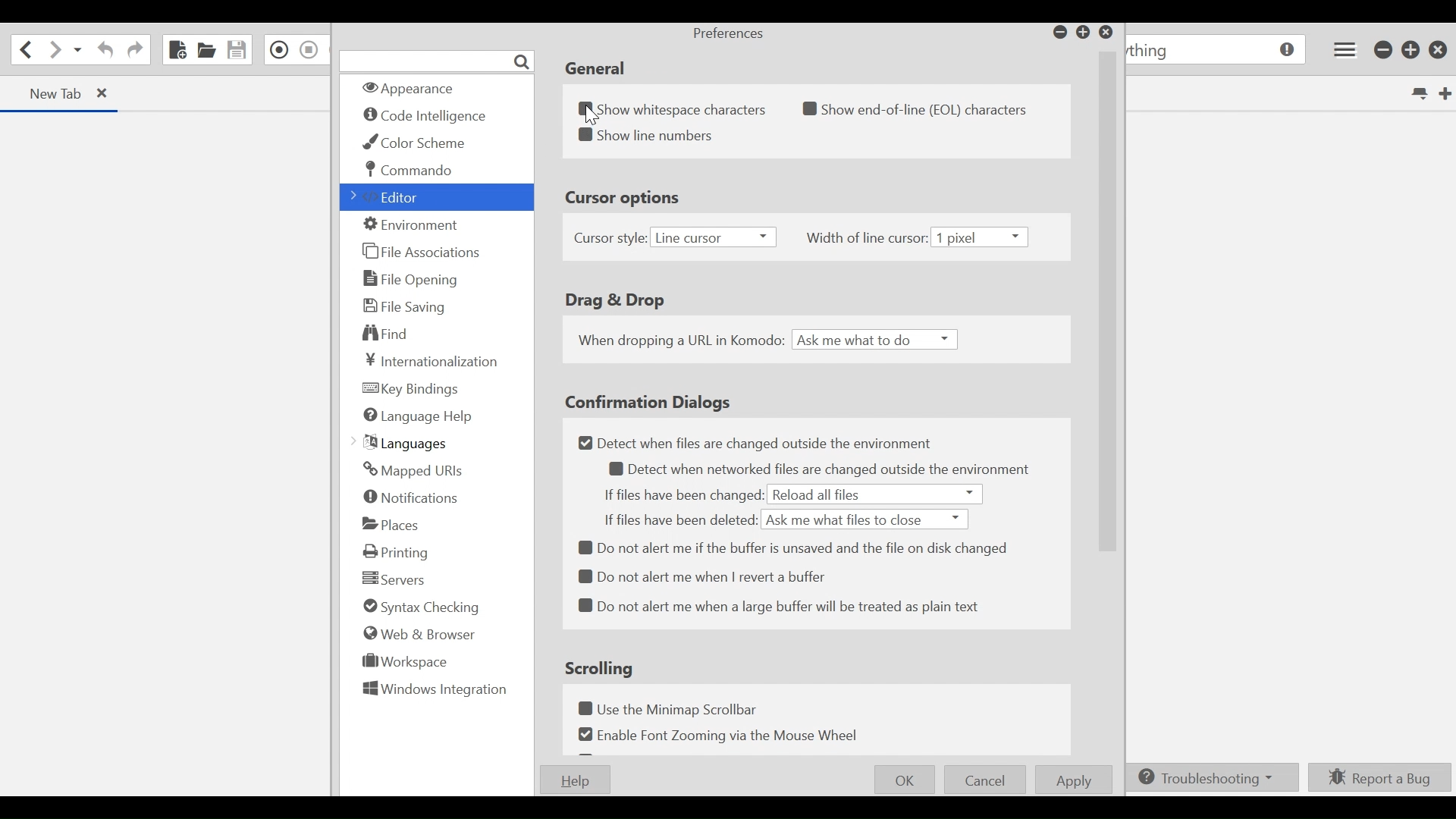 This screenshot has width=1456, height=819. I want to click on General, so click(595, 66).